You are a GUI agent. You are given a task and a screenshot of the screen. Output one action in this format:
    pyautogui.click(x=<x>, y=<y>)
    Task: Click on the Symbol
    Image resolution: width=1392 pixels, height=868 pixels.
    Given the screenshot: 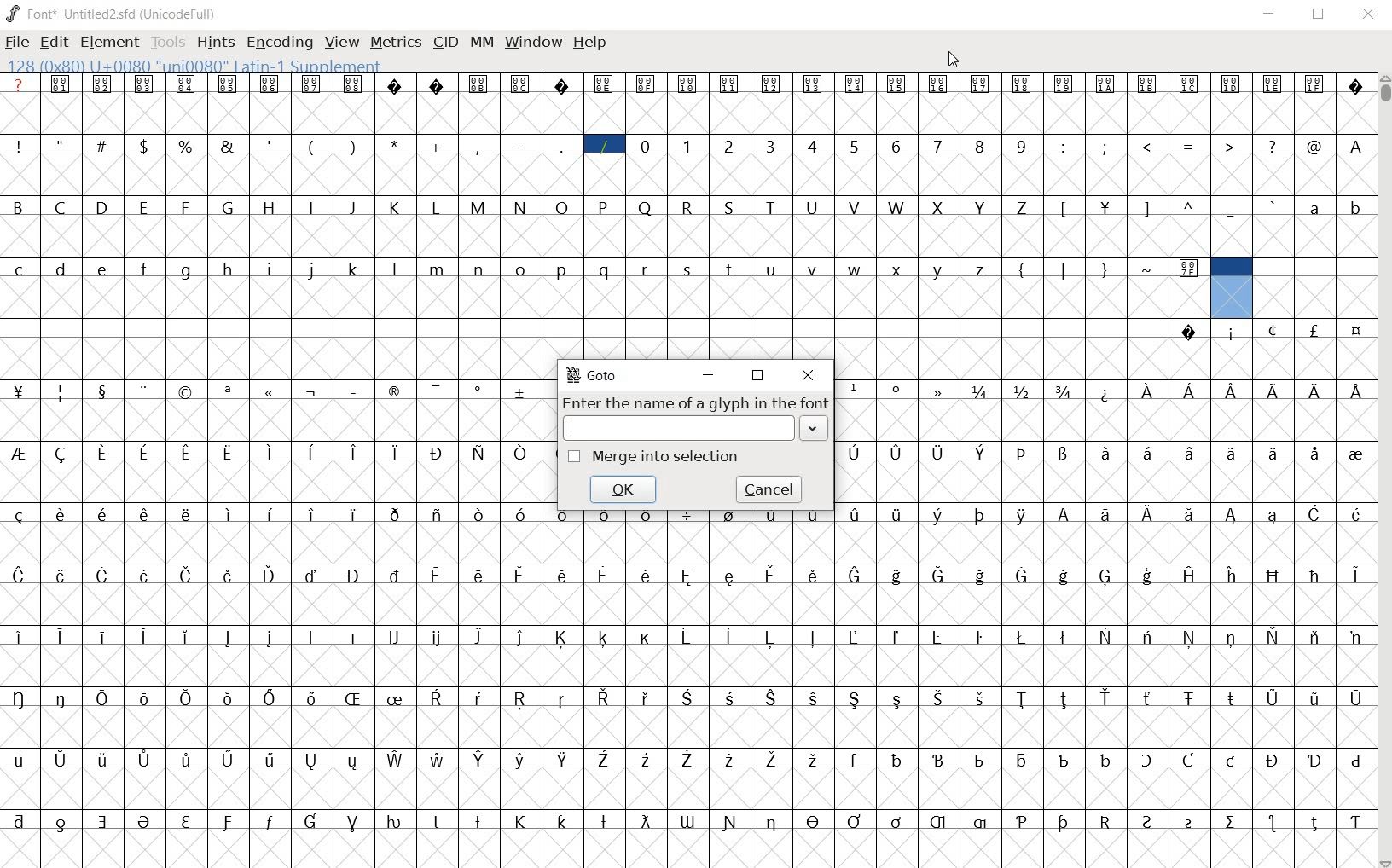 What is the action you would take?
    pyautogui.click(x=1024, y=636)
    